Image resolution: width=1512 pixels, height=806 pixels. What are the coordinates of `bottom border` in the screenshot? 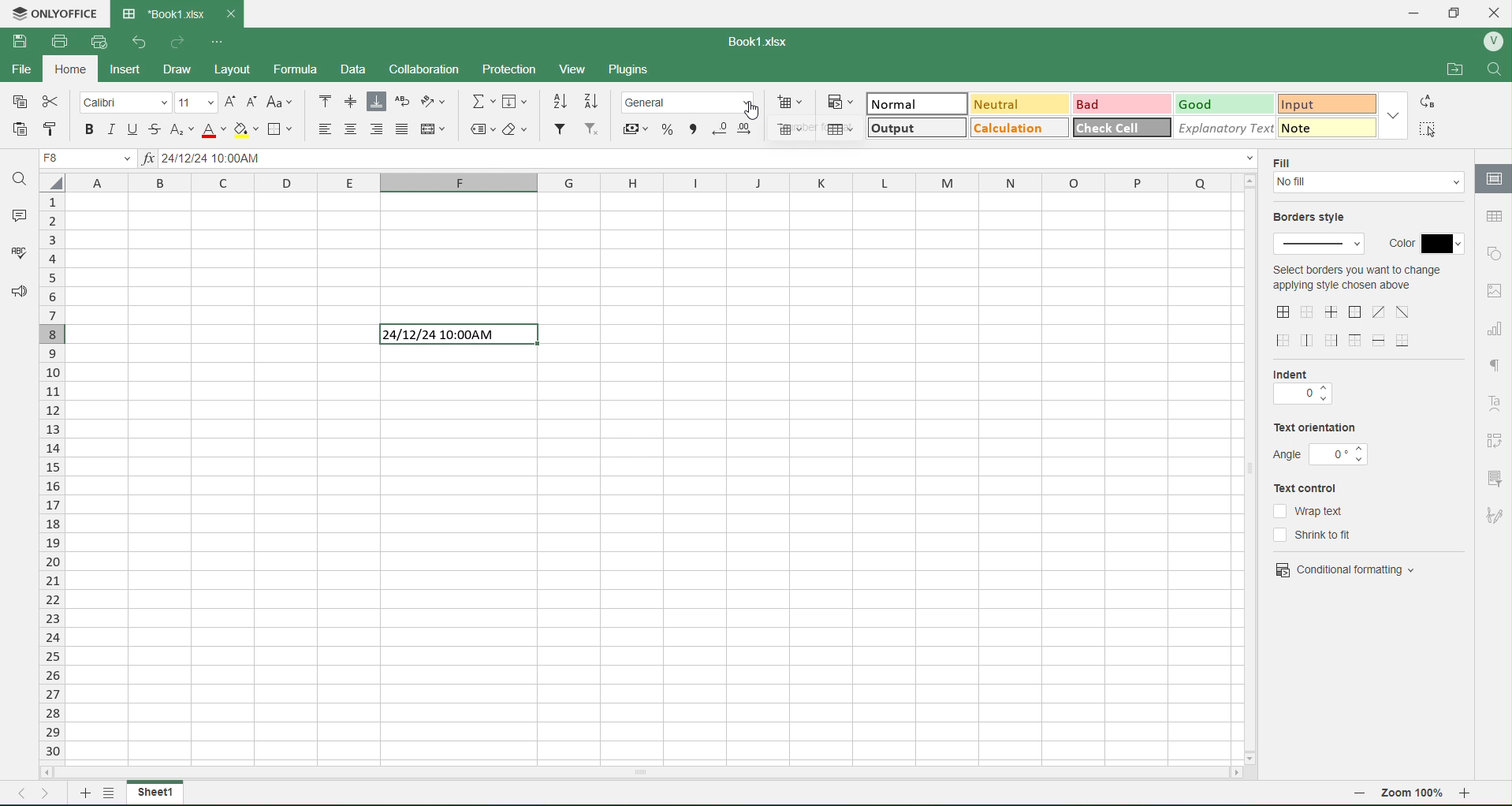 It's located at (1405, 339).